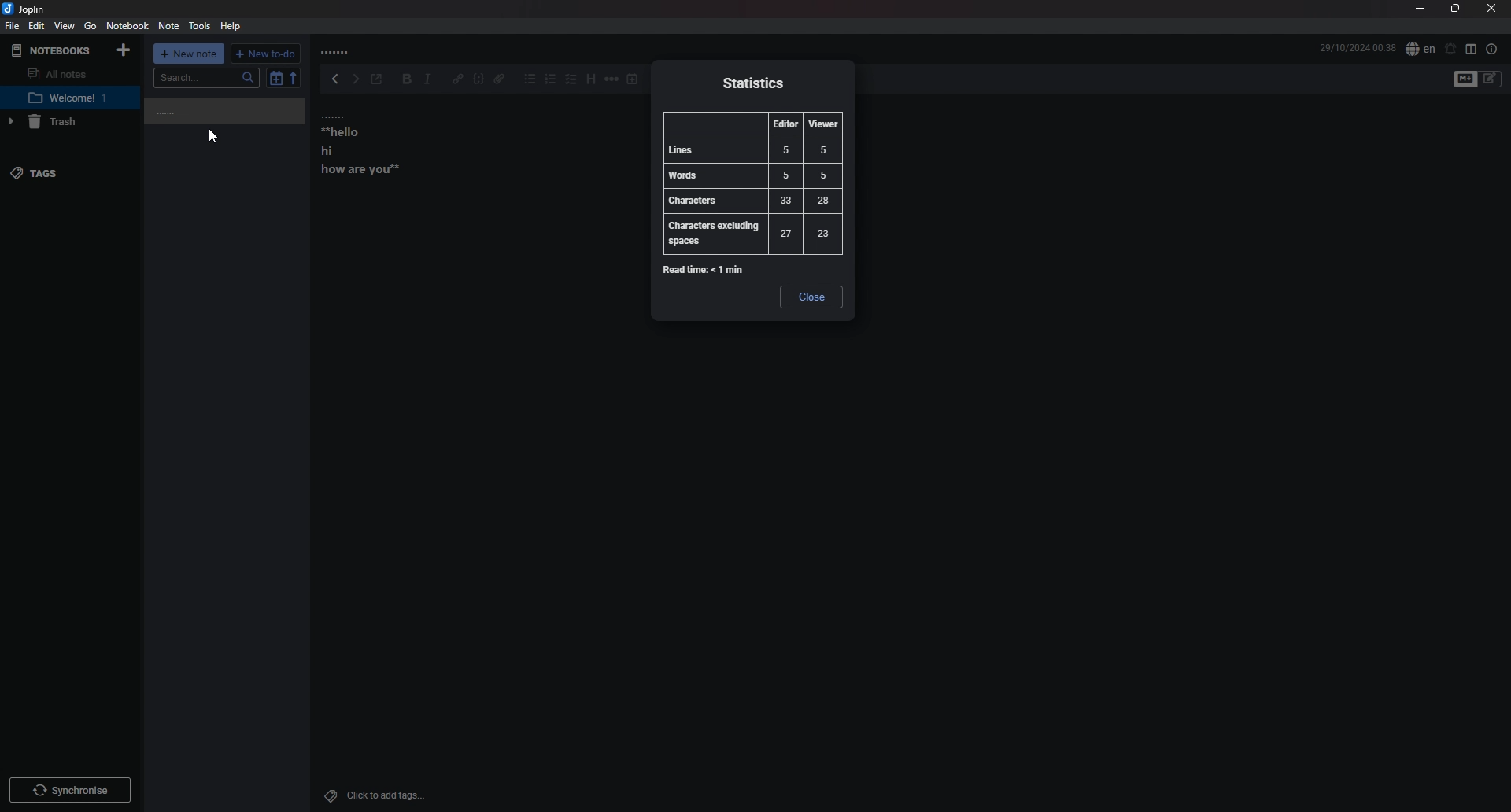 Image resolution: width=1511 pixels, height=812 pixels. I want to click on editor, so click(785, 125).